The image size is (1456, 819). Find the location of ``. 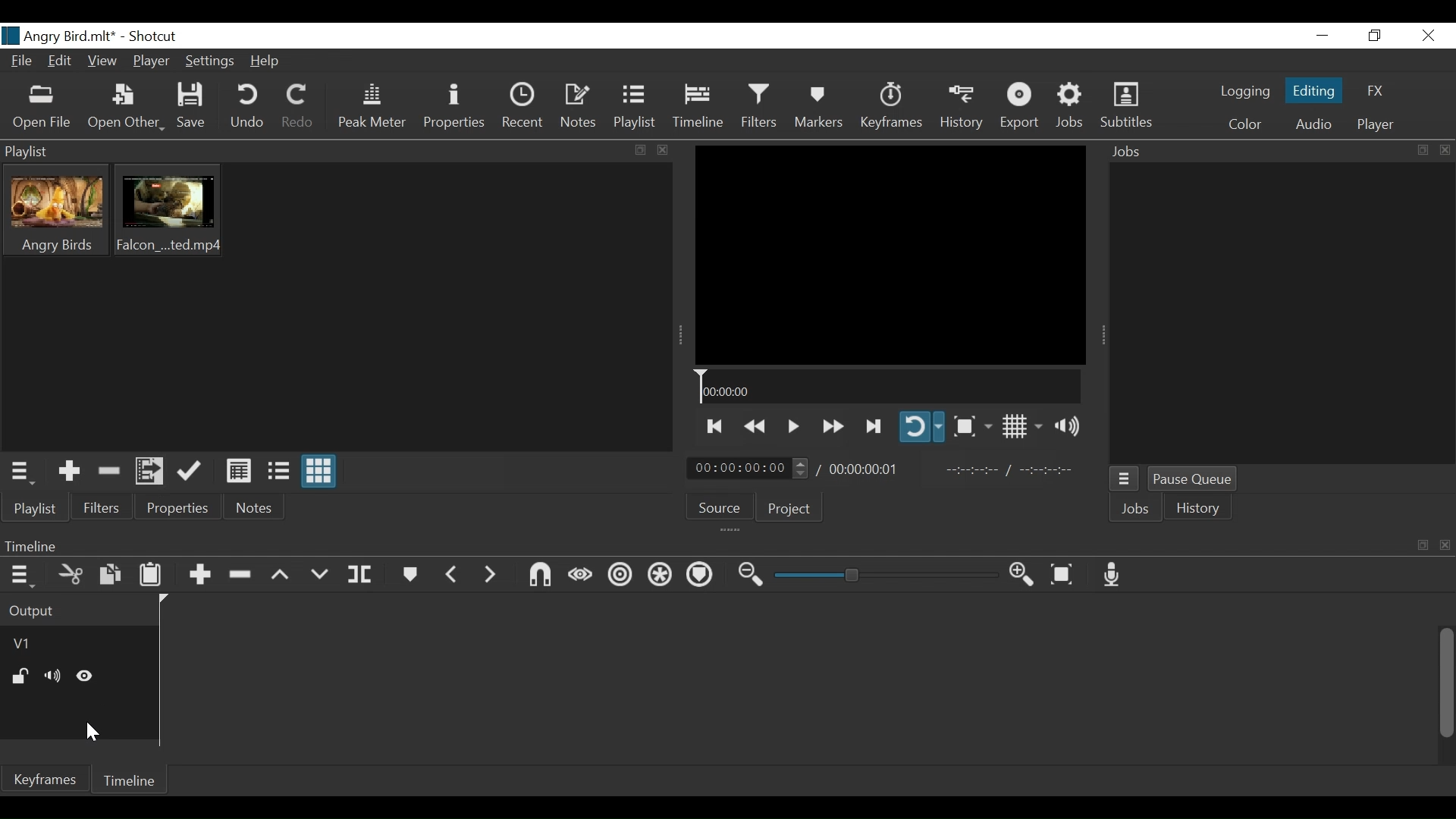

 is located at coordinates (453, 107).